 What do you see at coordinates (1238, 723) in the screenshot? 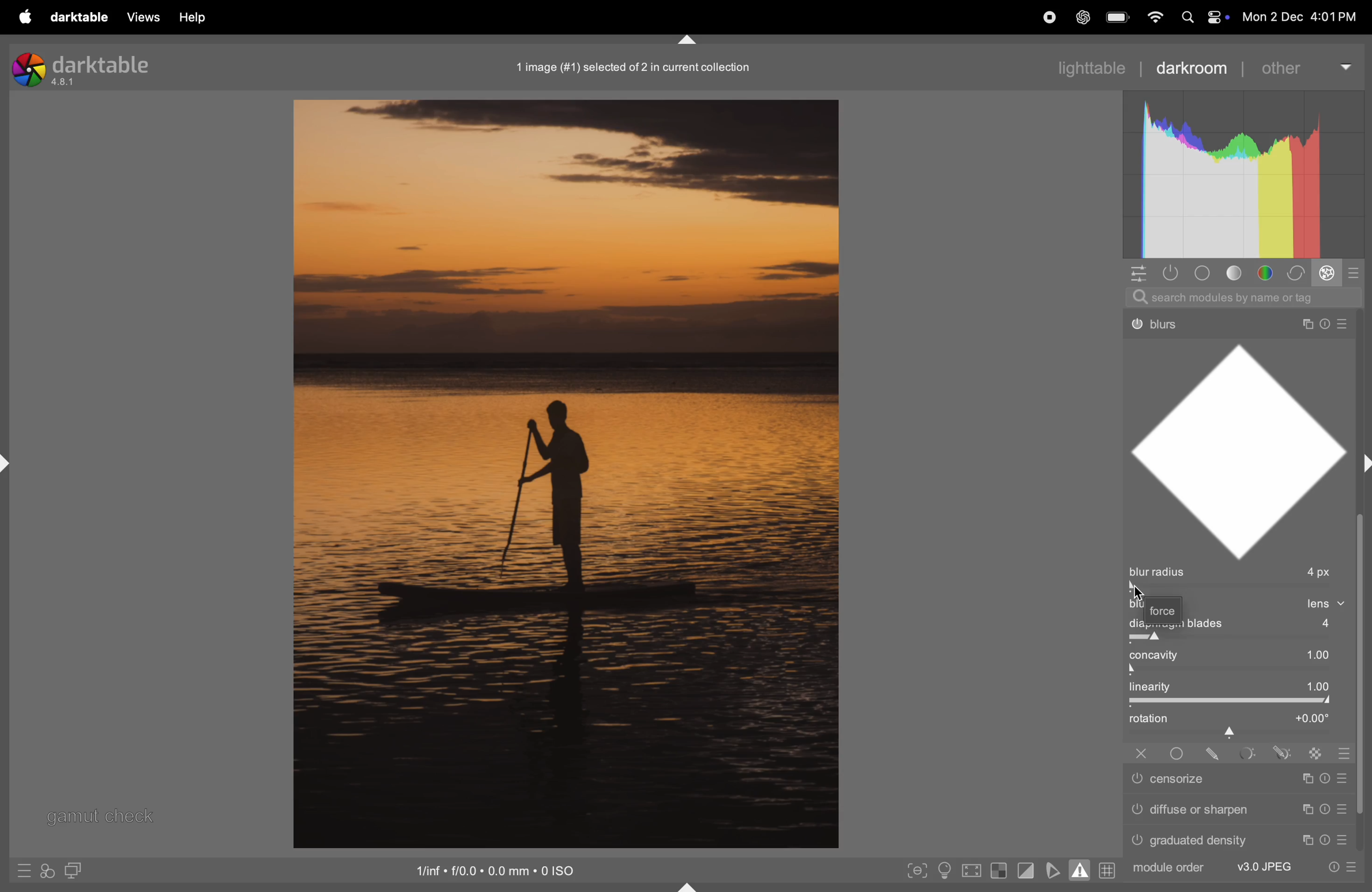
I see `rotation` at bounding box center [1238, 723].